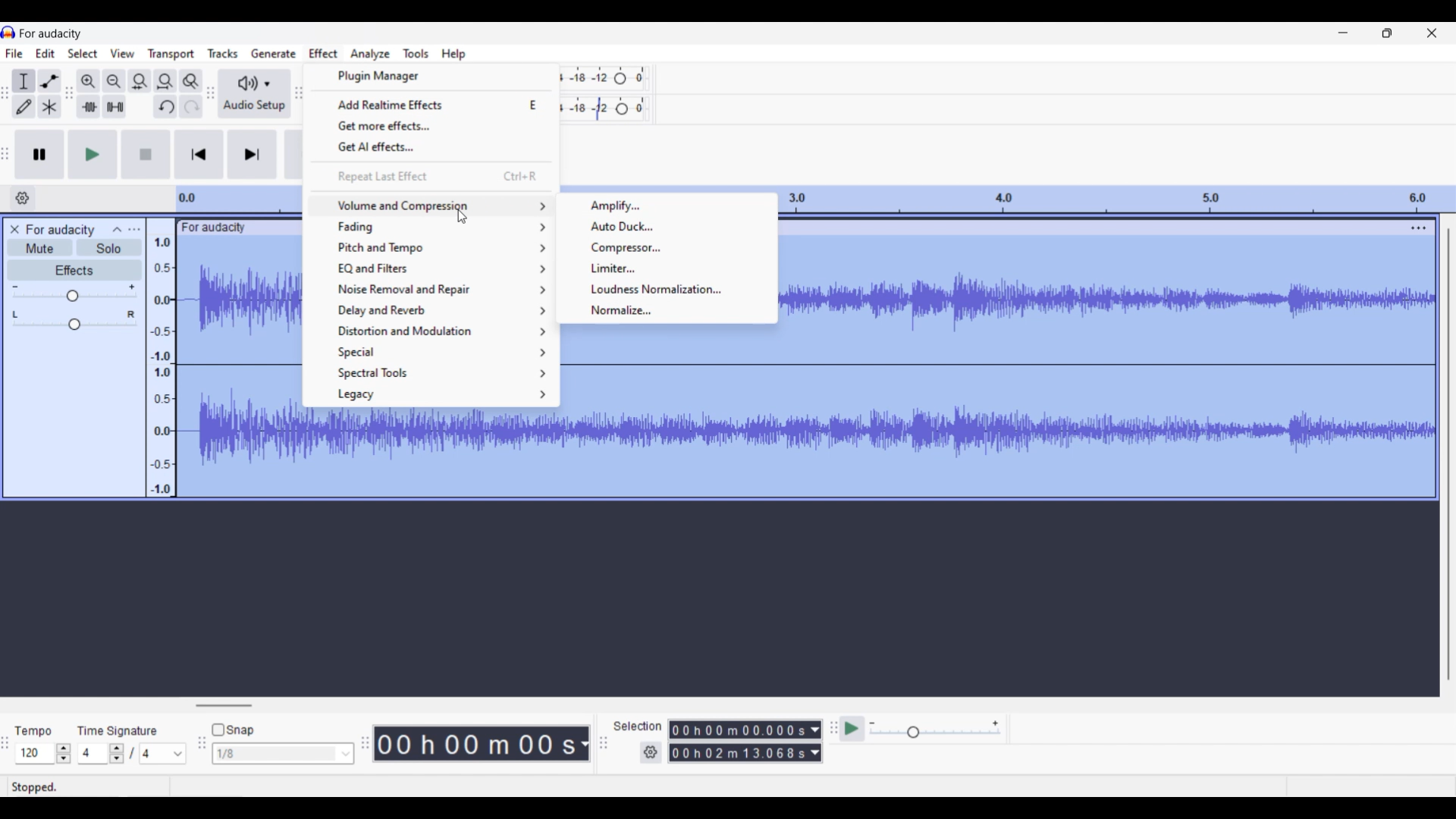 The height and width of the screenshot is (819, 1456). Describe the element at coordinates (224, 705) in the screenshot. I see `Horizontal slide bar` at that location.